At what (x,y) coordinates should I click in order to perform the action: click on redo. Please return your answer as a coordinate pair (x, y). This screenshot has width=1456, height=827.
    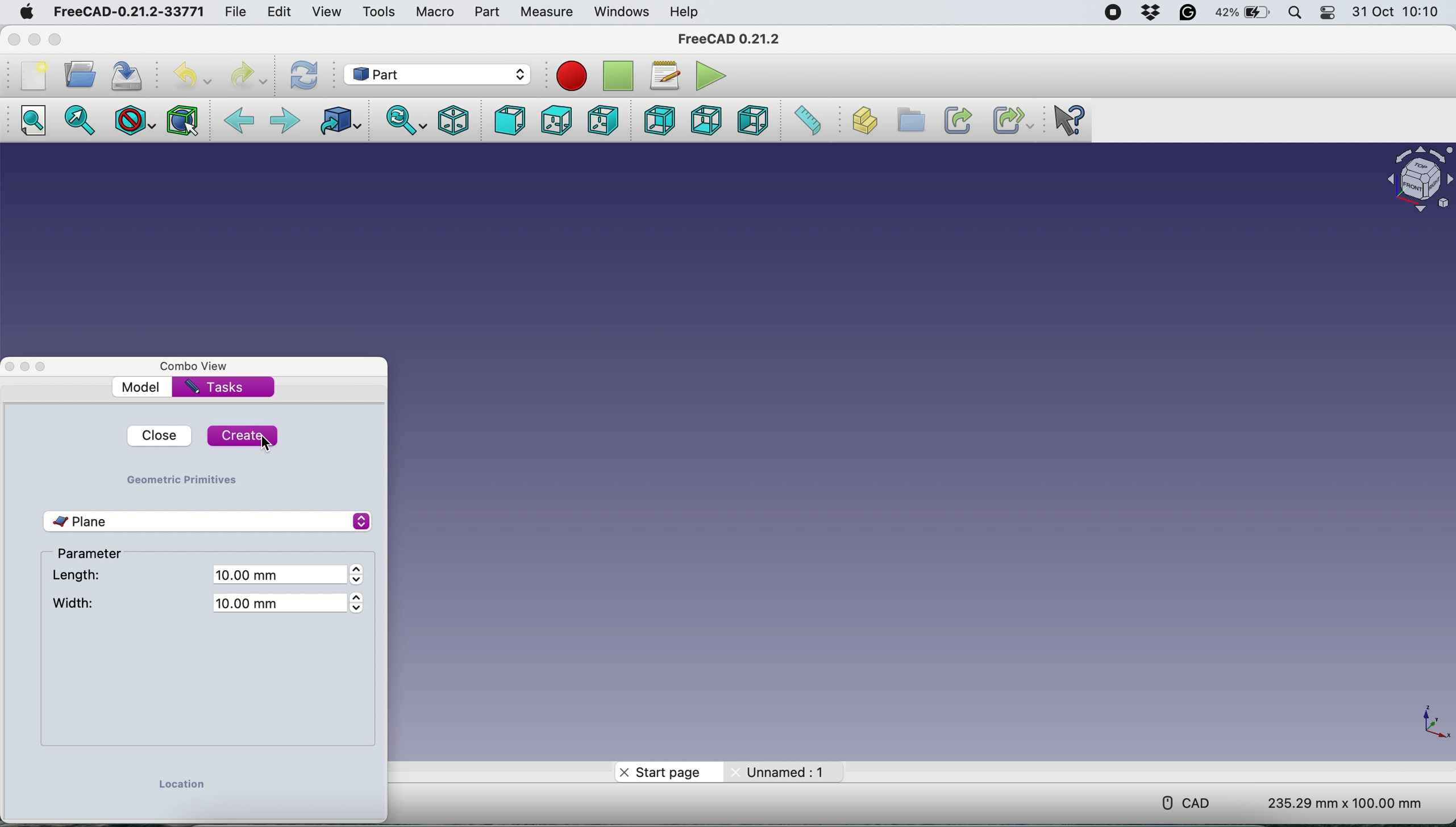
    Looking at the image, I should click on (246, 74).